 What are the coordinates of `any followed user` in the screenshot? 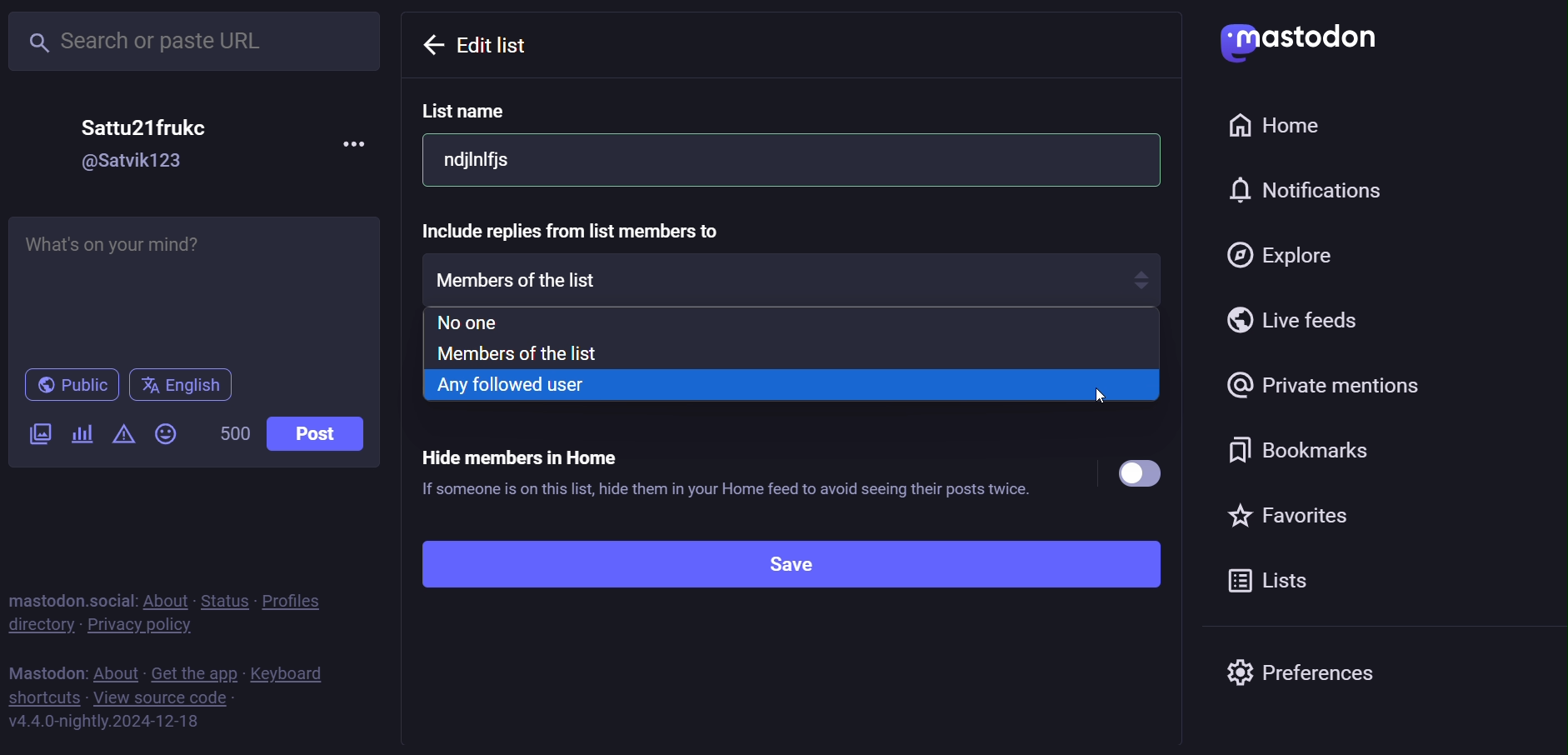 It's located at (536, 387).